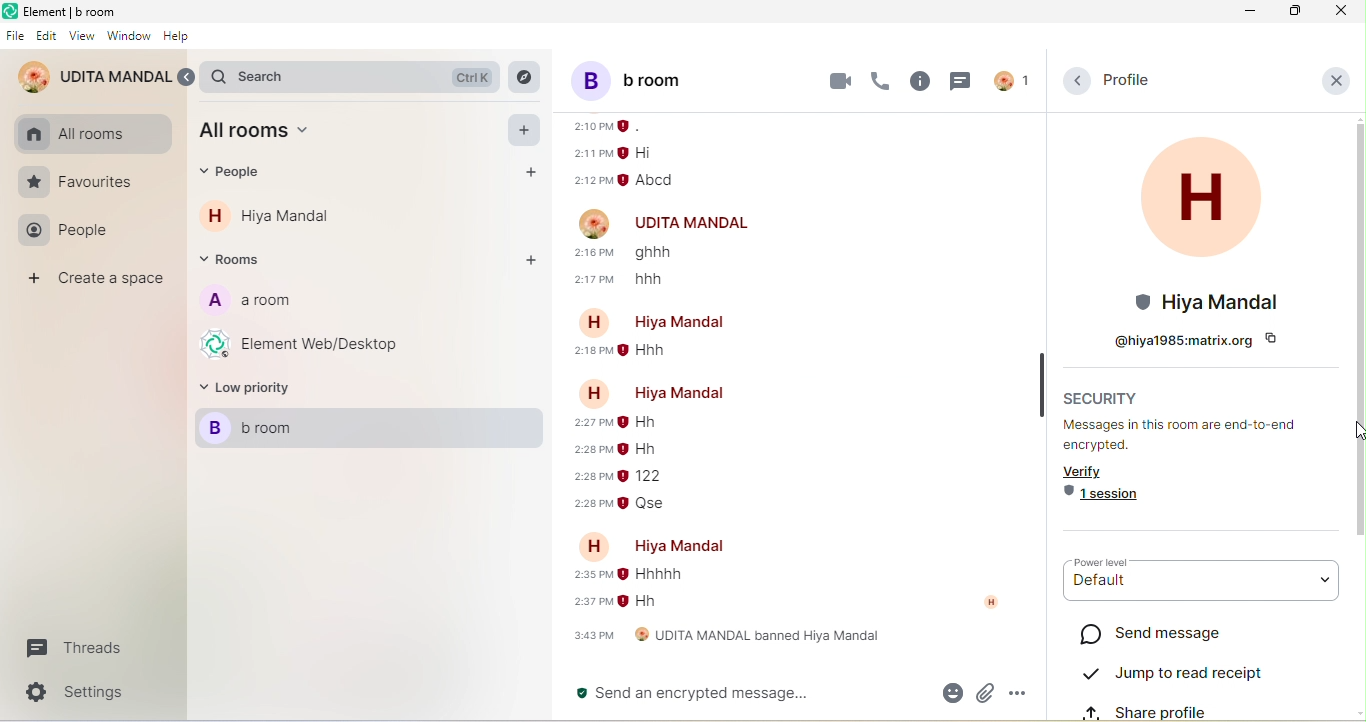  What do you see at coordinates (263, 134) in the screenshot?
I see `all room` at bounding box center [263, 134].